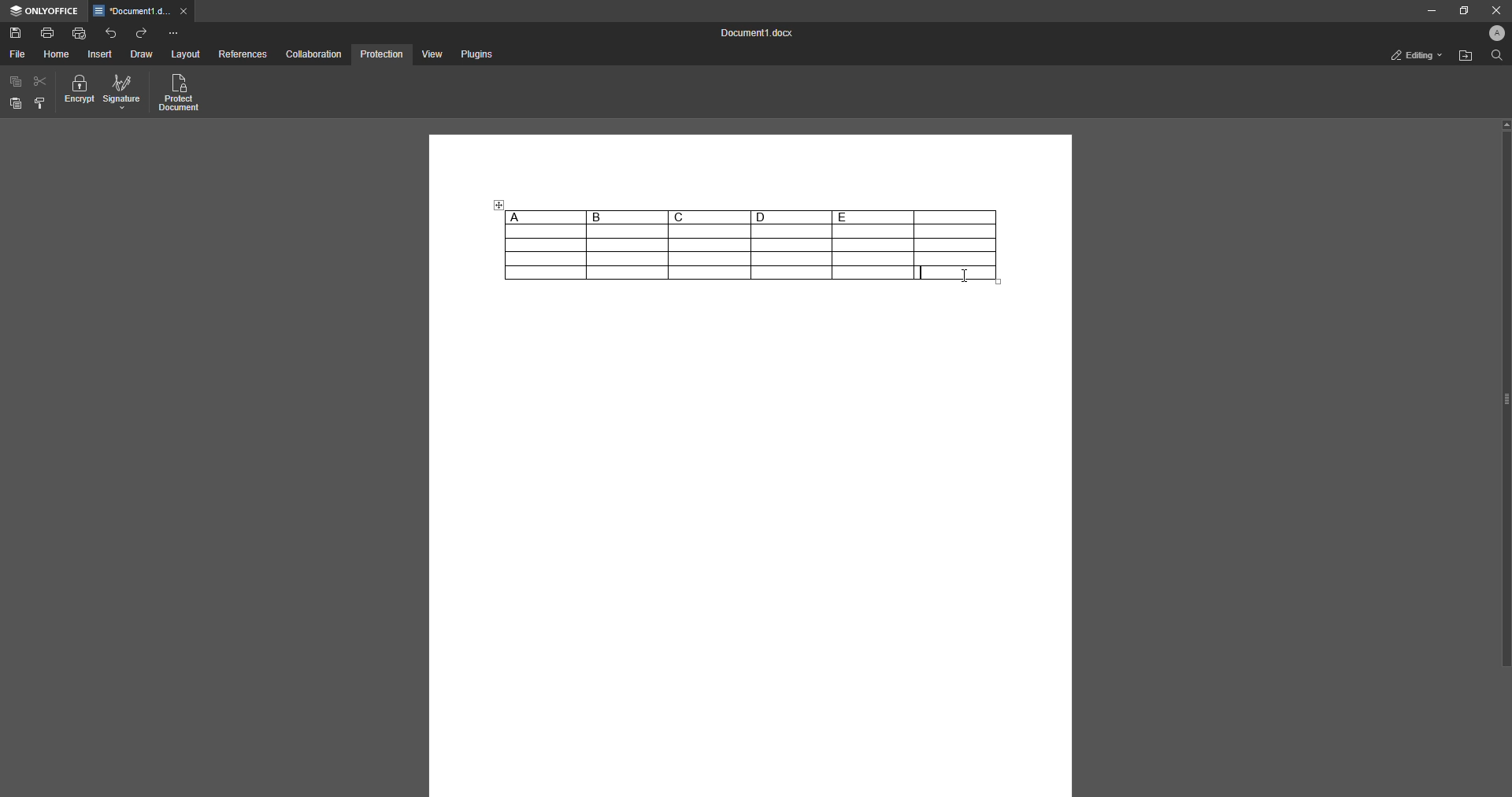 The image size is (1512, 797). Describe the element at coordinates (544, 217) in the screenshot. I see `A` at that location.